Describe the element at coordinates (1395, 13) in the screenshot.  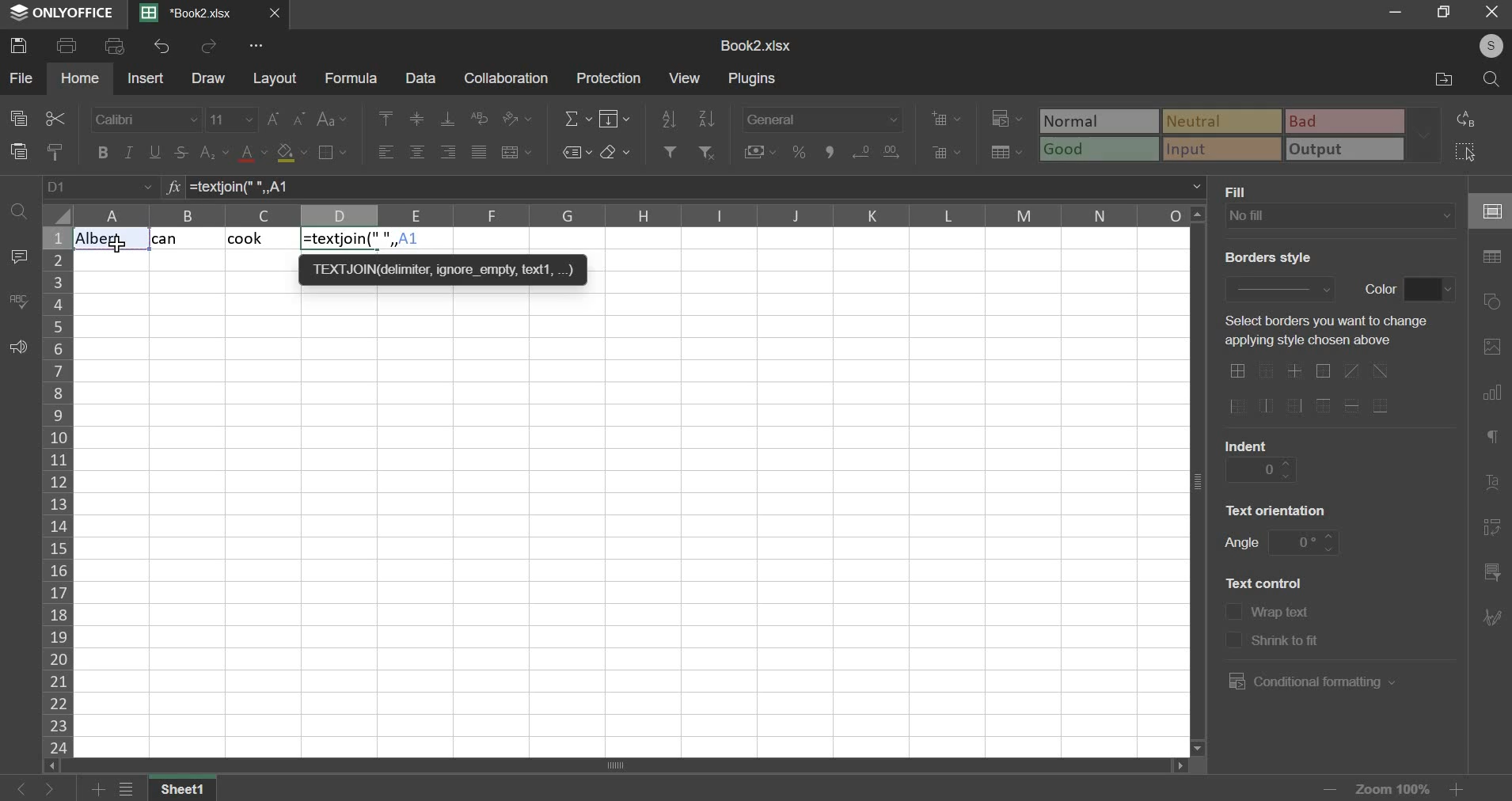
I see `minimize` at that location.